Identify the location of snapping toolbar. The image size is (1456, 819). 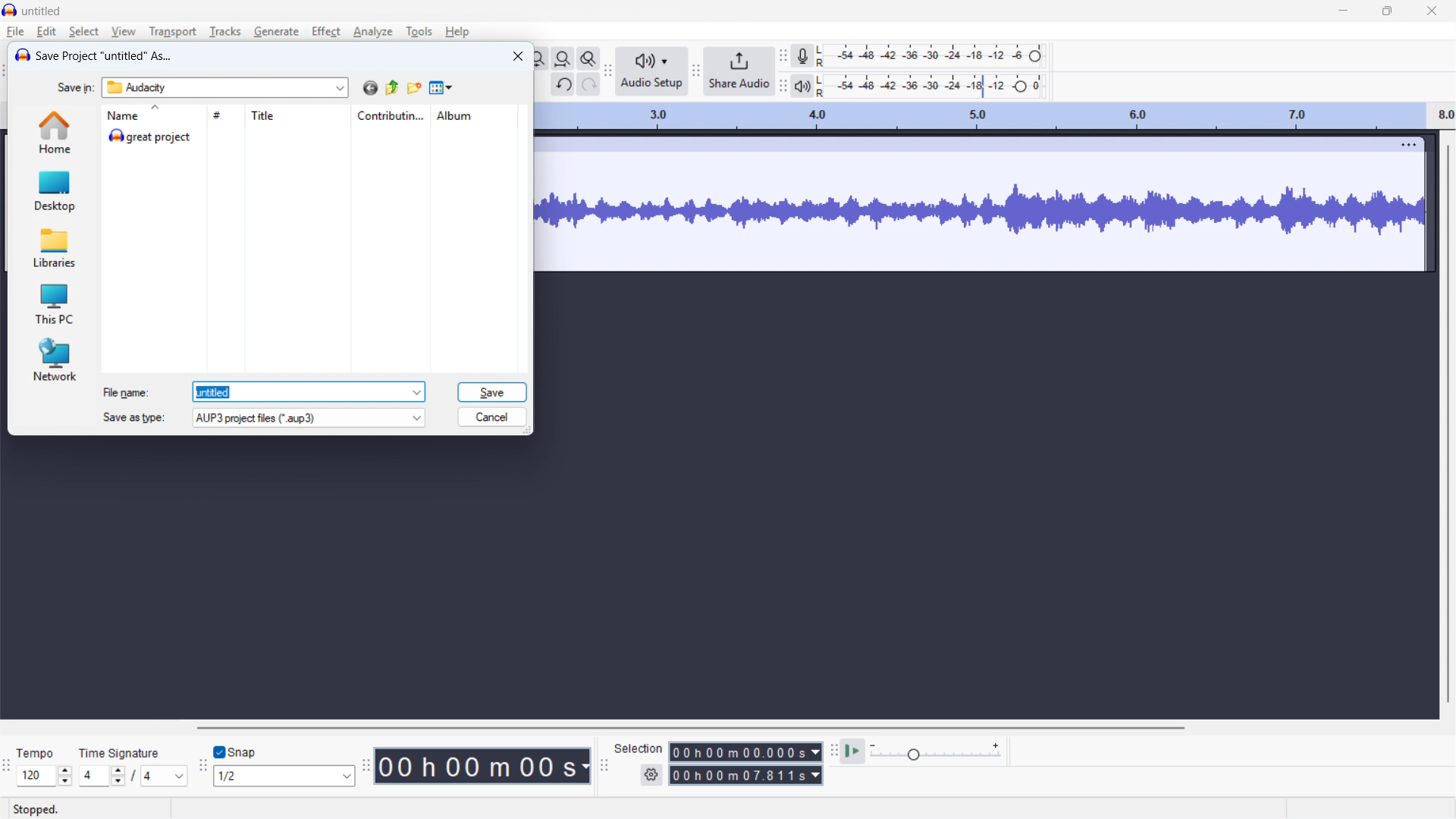
(202, 767).